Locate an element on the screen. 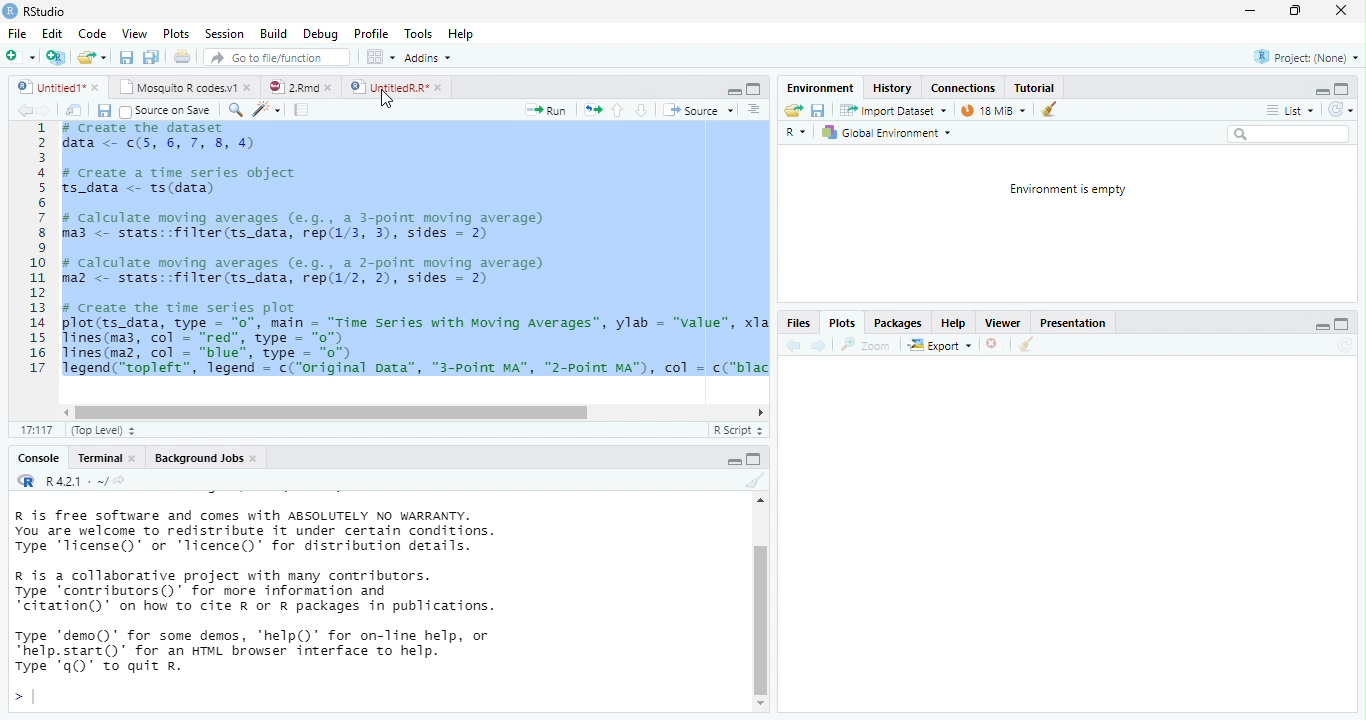 This screenshot has height=720, width=1366. View is located at coordinates (133, 33).